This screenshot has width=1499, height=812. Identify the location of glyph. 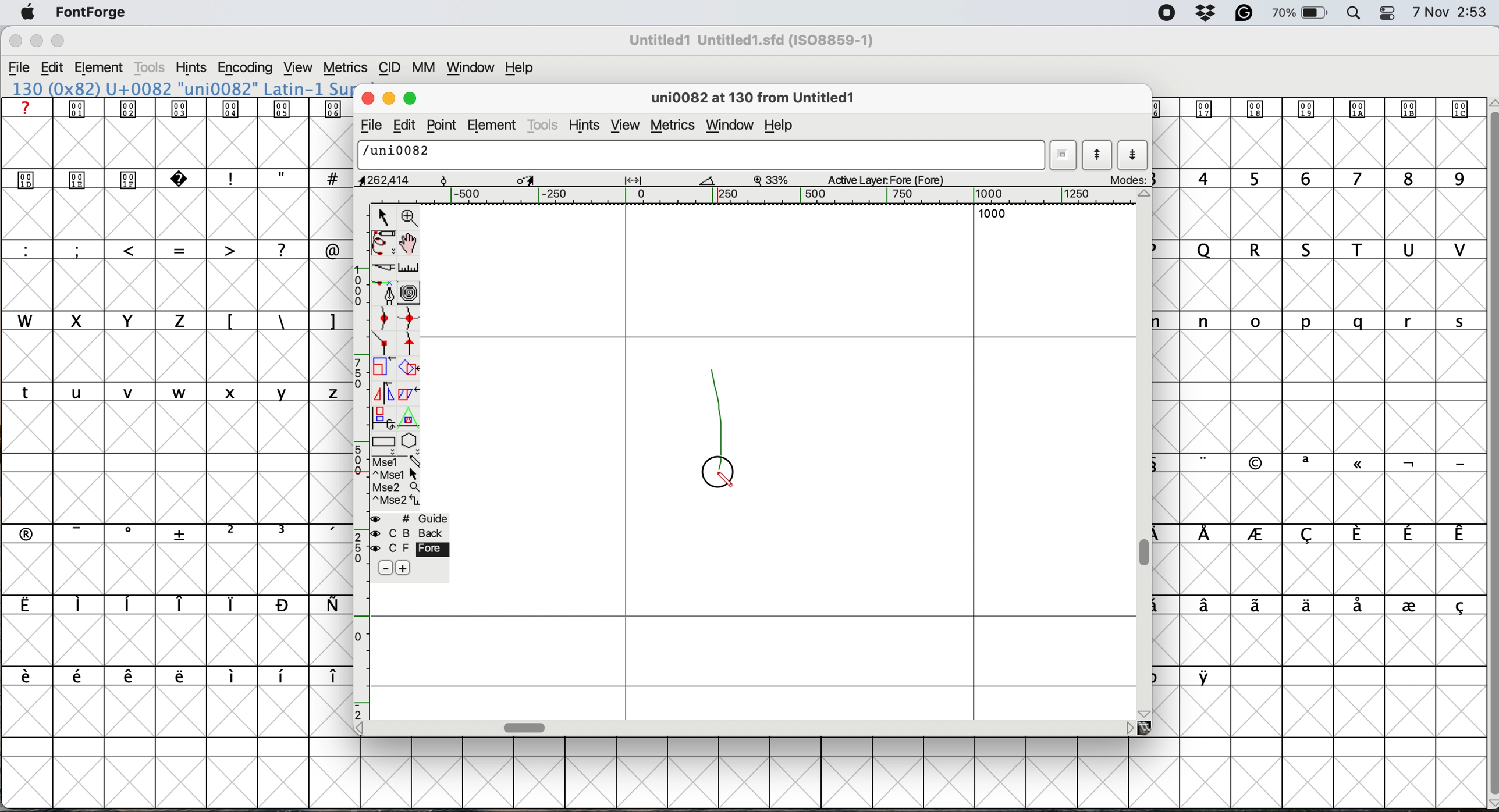
(702, 156).